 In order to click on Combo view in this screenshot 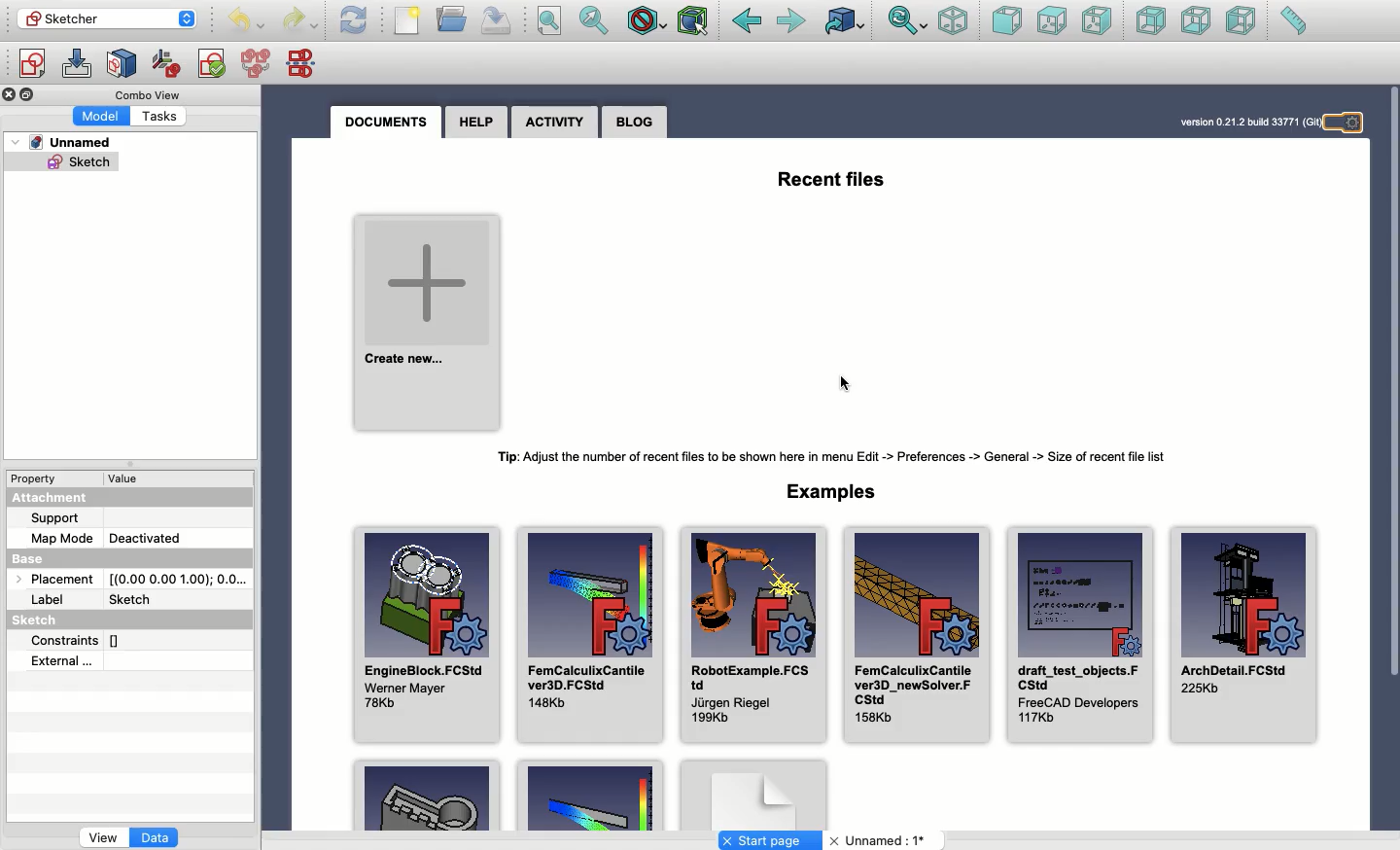, I will do `click(145, 94)`.